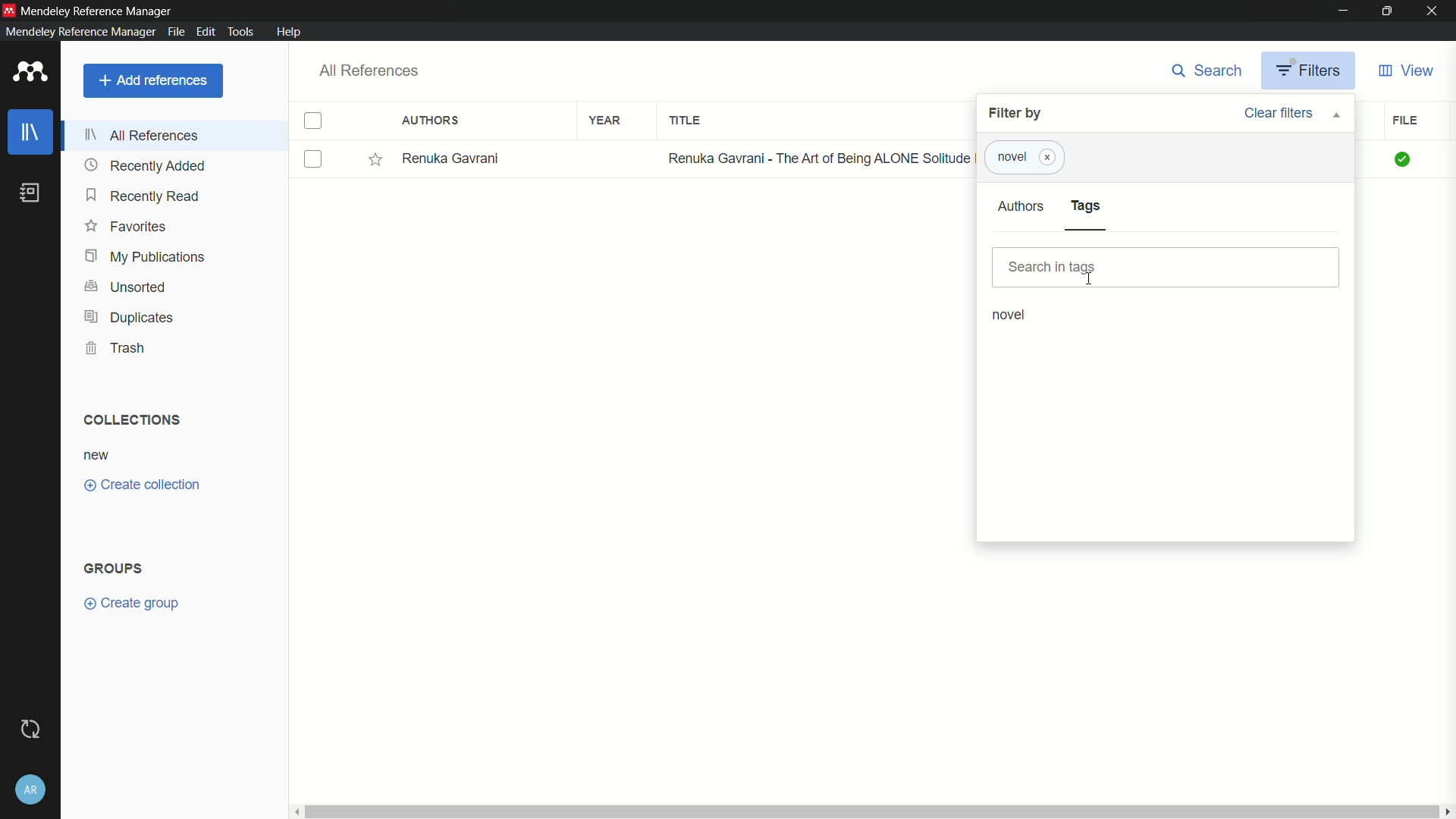 This screenshot has height=819, width=1456. I want to click on create collection, so click(143, 484).